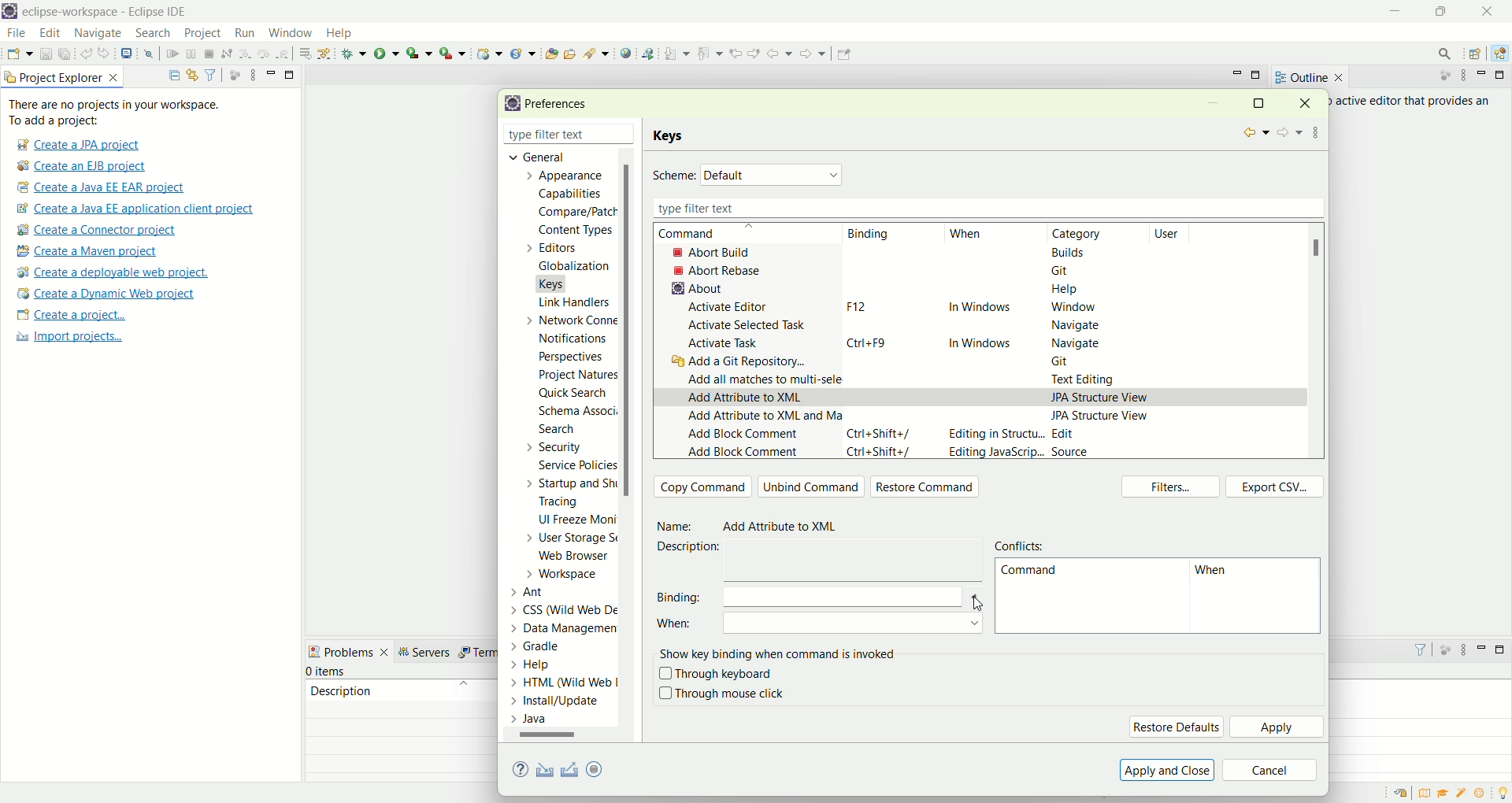 This screenshot has width=1512, height=803. What do you see at coordinates (569, 52) in the screenshot?
I see `open task` at bounding box center [569, 52].